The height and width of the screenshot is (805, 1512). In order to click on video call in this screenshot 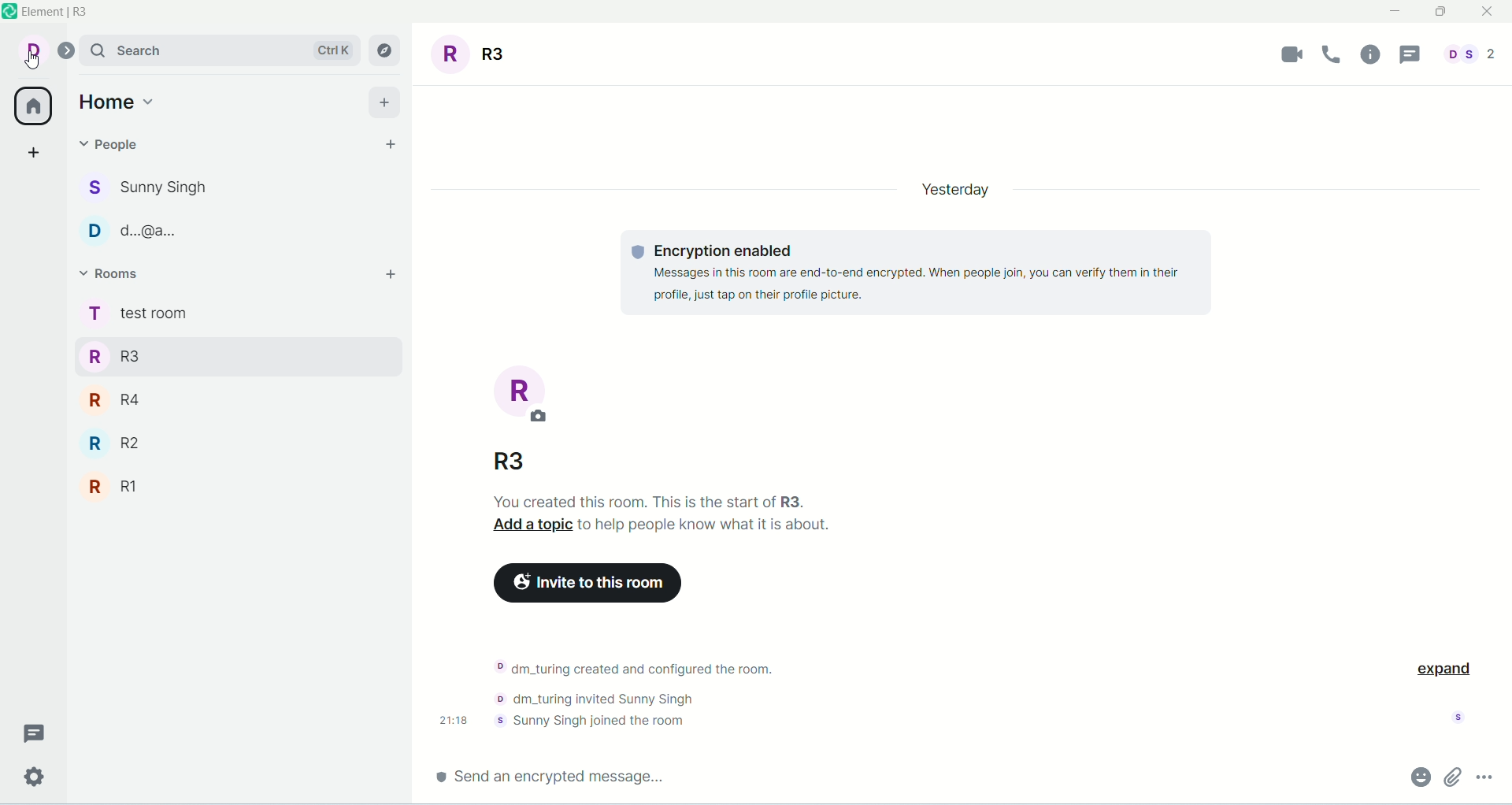, I will do `click(1293, 54)`.